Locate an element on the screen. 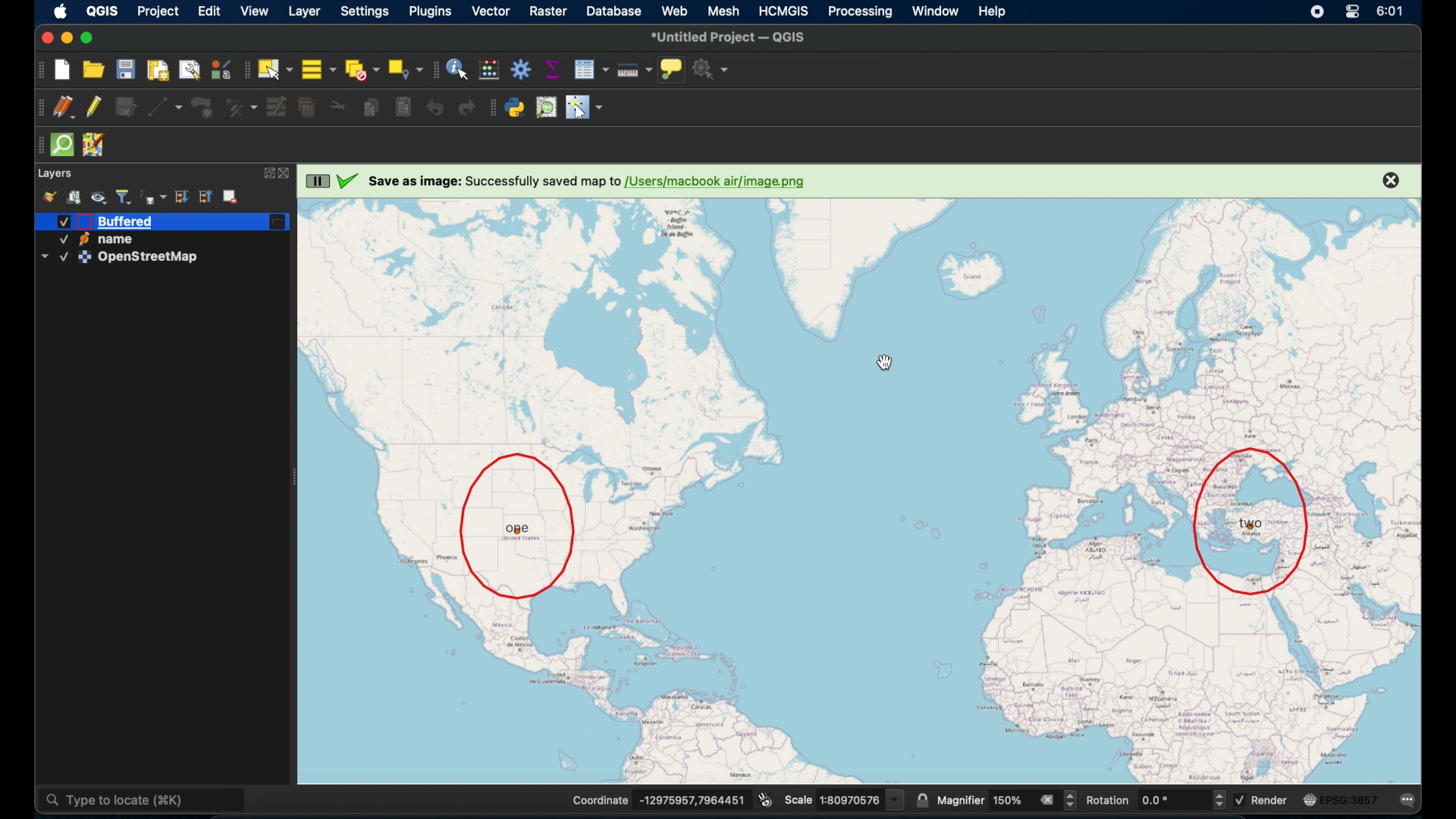  Scale is located at coordinates (799, 800).